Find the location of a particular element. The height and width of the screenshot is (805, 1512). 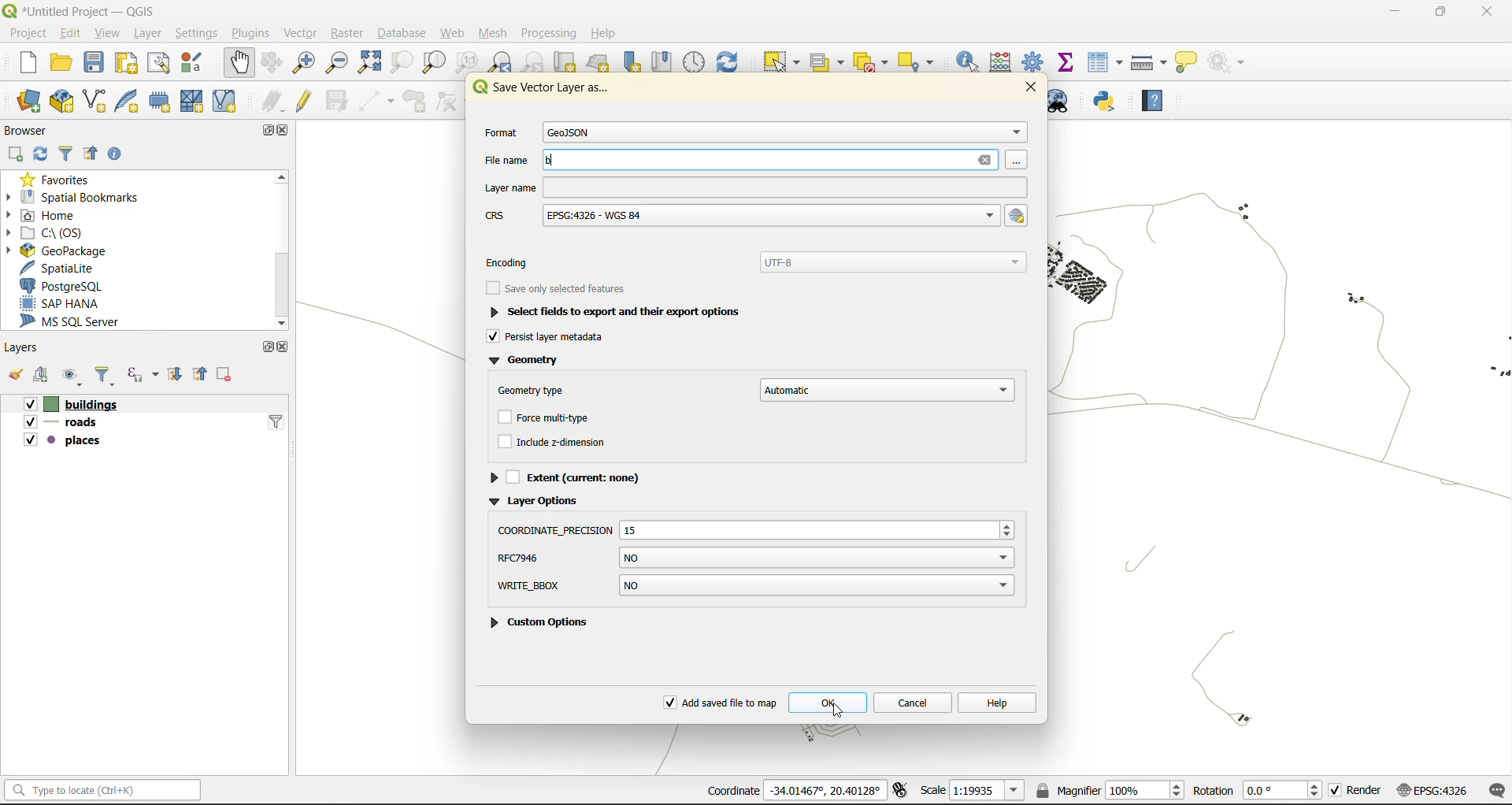

cancel is located at coordinates (912, 701).